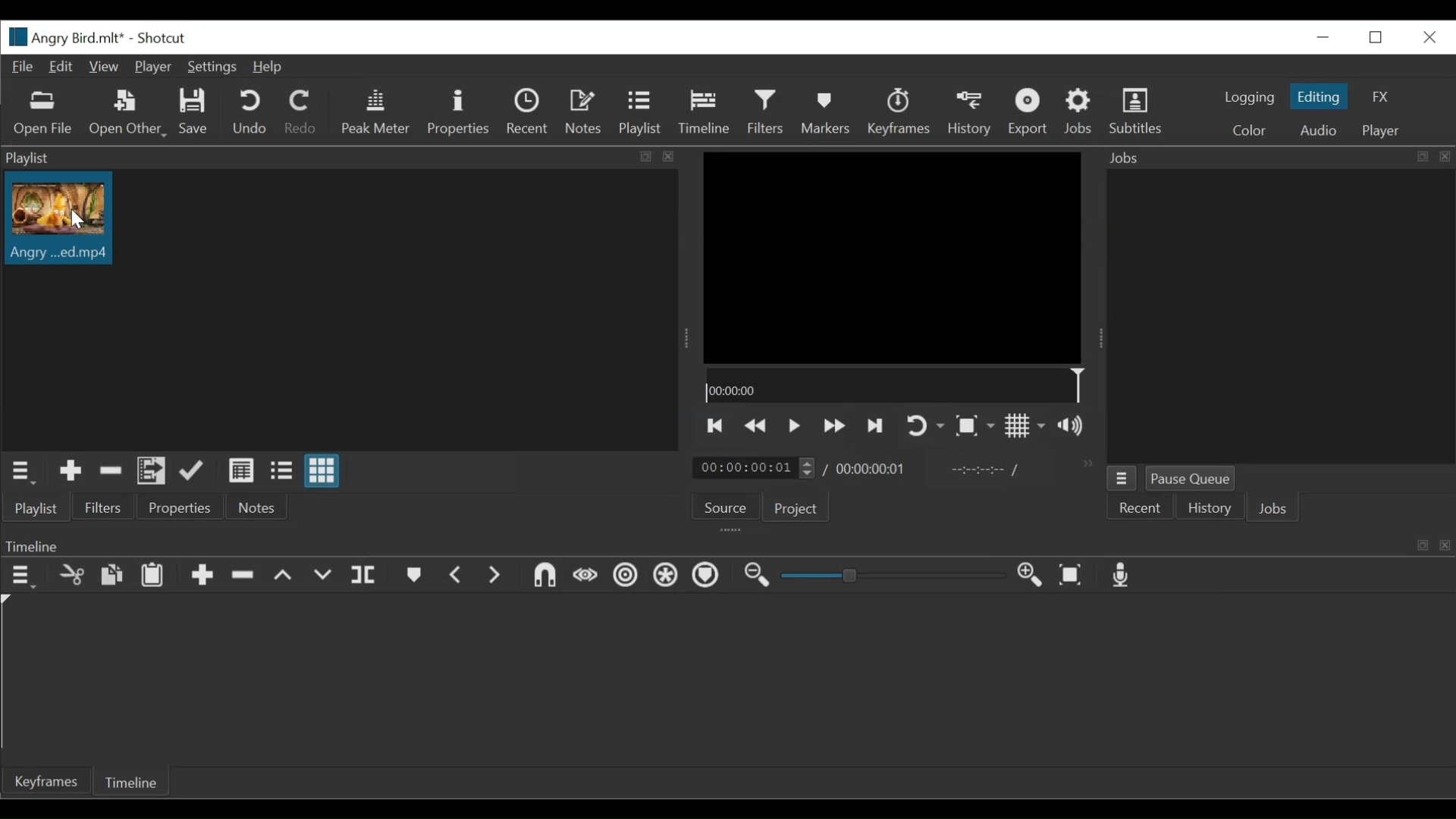 The image size is (1456, 819). I want to click on Filters, so click(767, 111).